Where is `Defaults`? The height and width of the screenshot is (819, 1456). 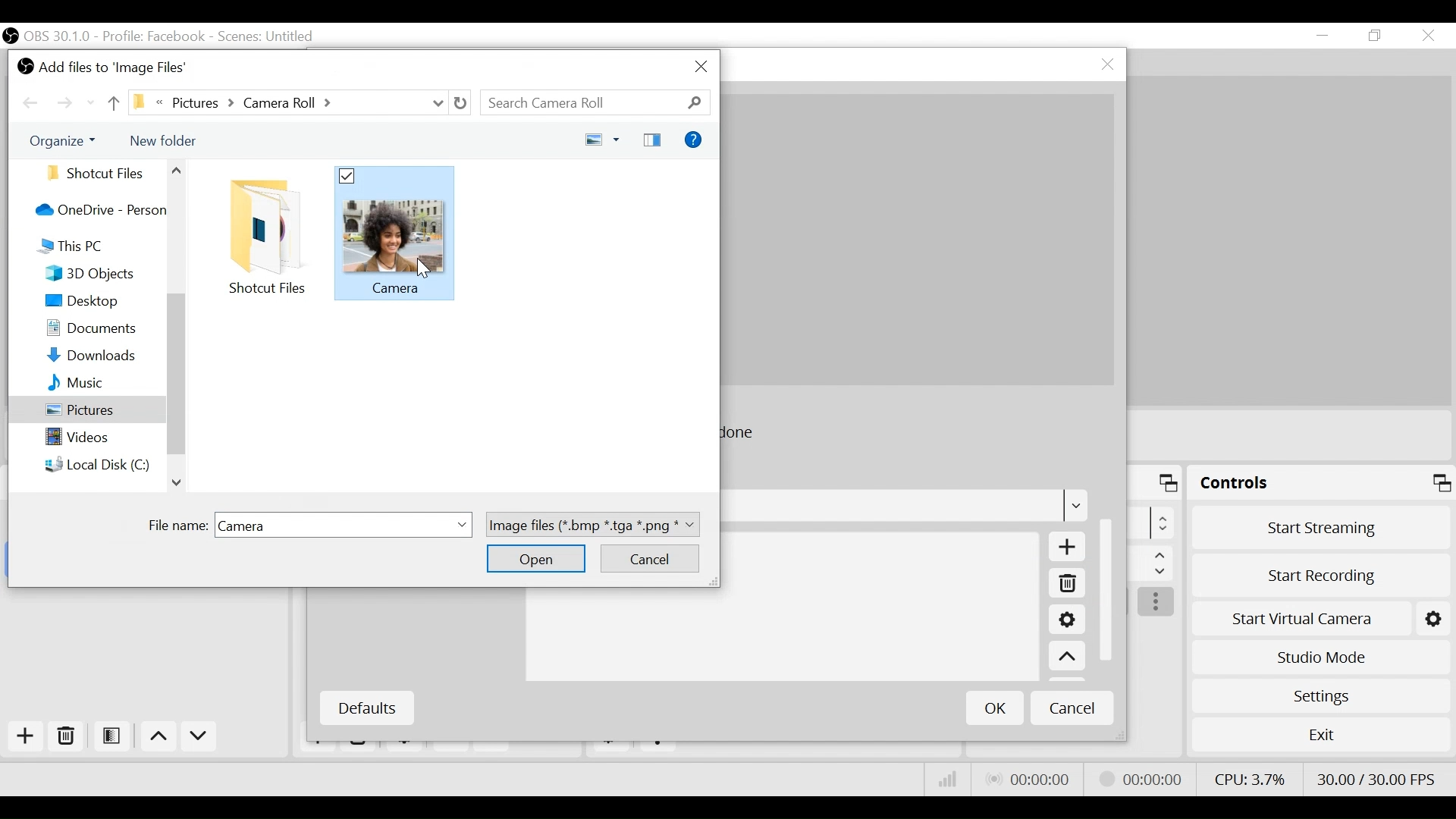
Defaults is located at coordinates (366, 708).